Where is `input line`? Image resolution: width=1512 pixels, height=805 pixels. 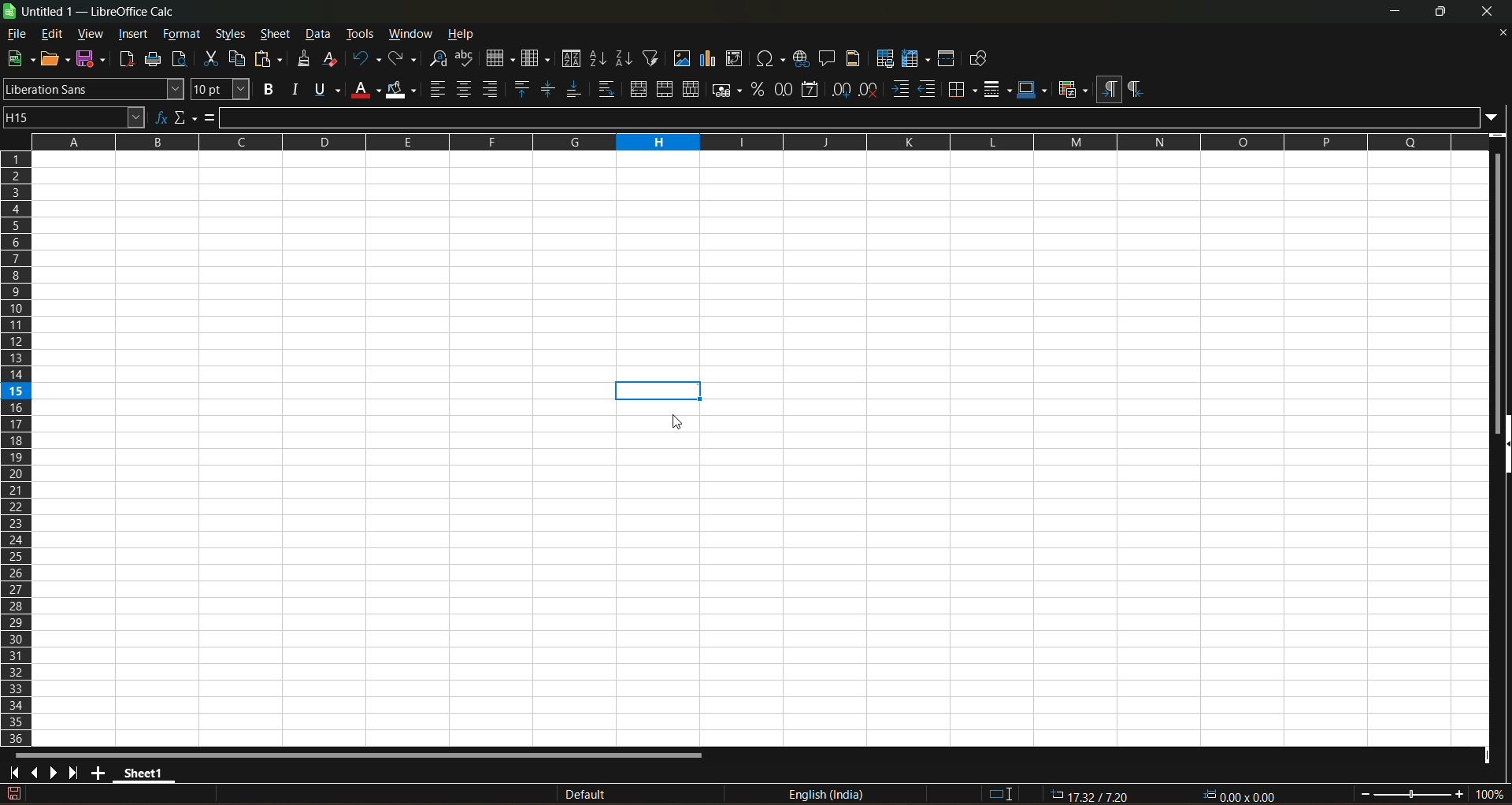
input line is located at coordinates (858, 117).